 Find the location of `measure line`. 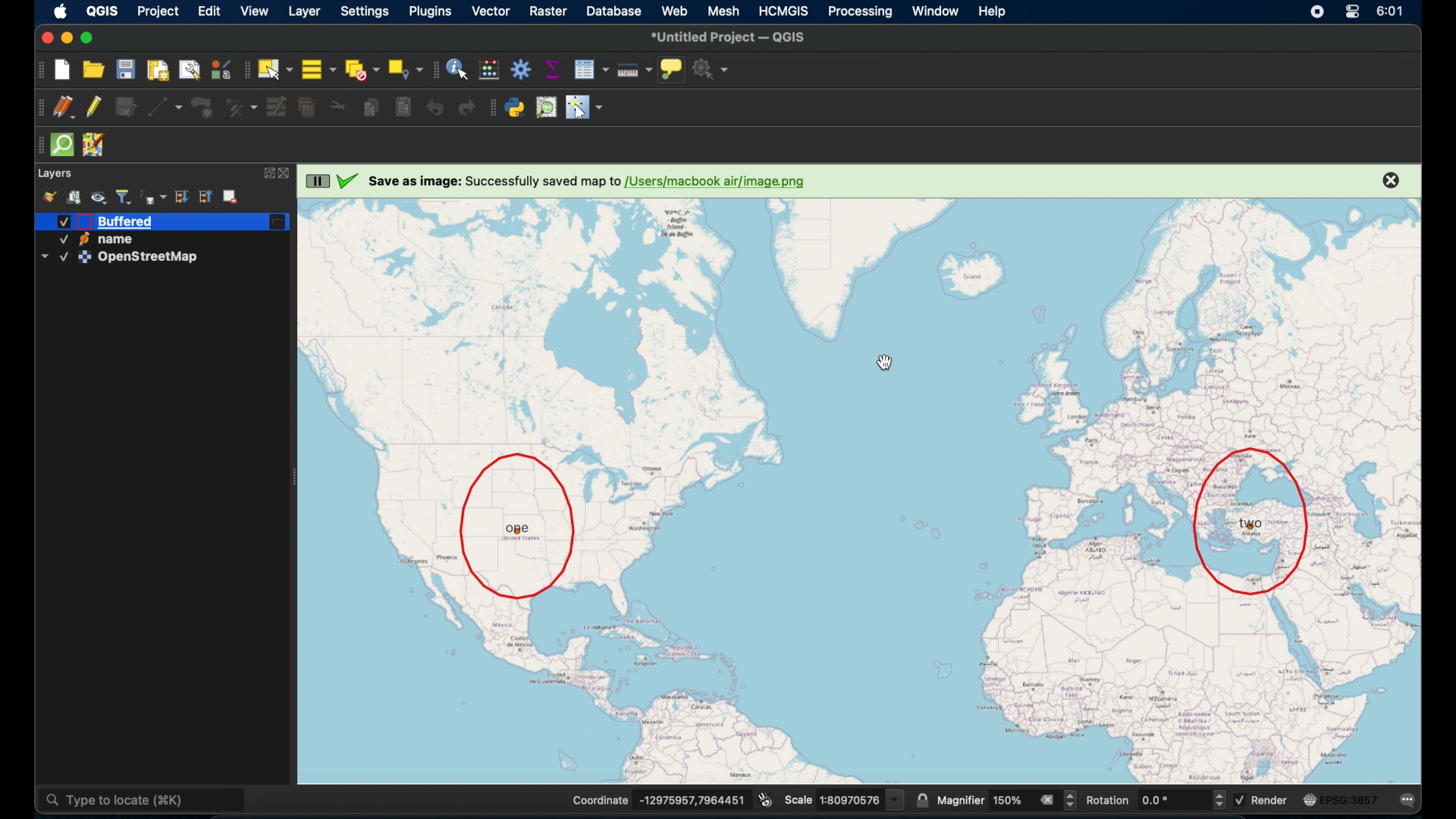

measure line is located at coordinates (633, 68).